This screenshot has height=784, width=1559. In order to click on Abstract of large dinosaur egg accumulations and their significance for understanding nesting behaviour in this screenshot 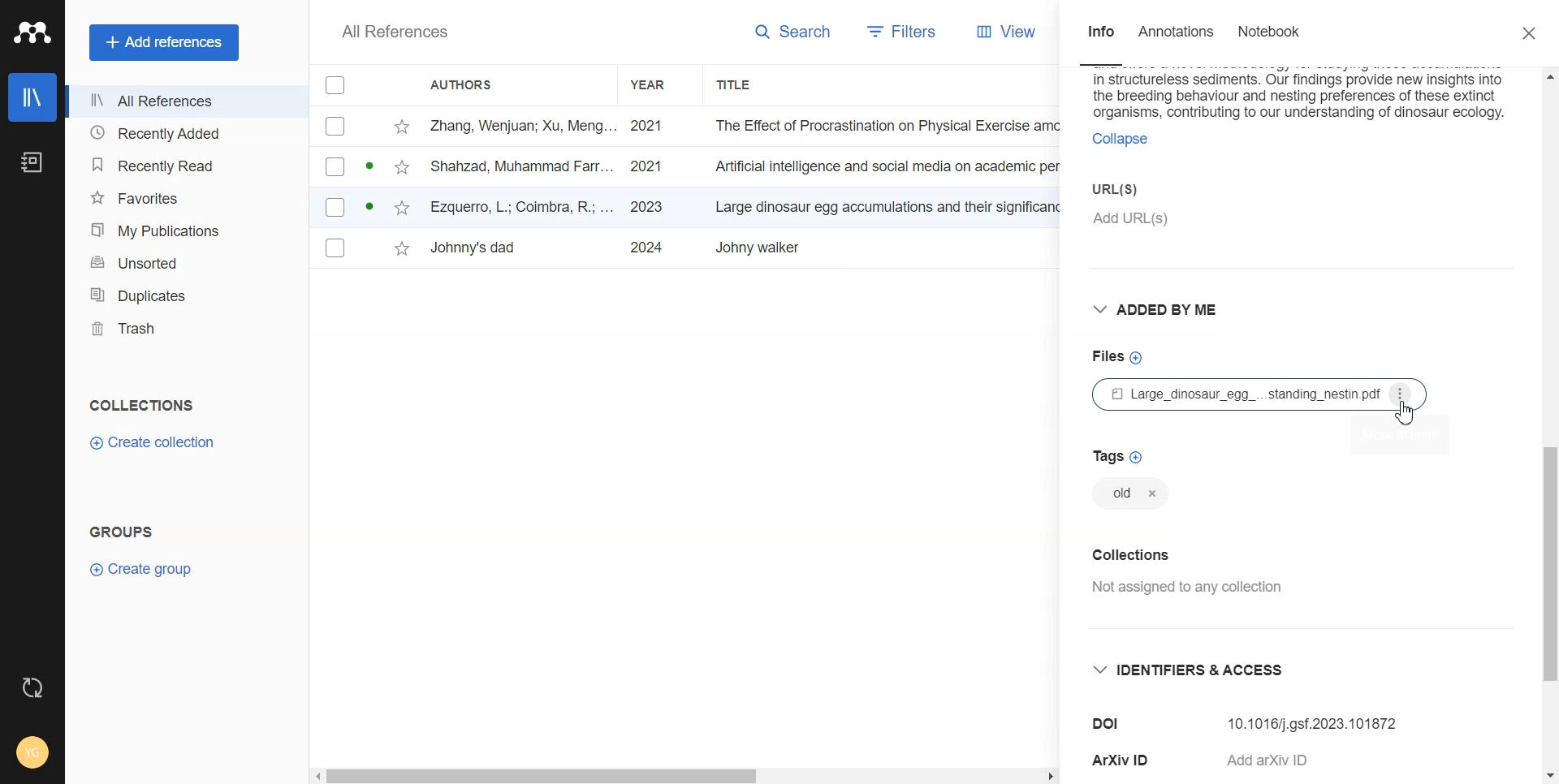, I will do `click(1300, 94)`.